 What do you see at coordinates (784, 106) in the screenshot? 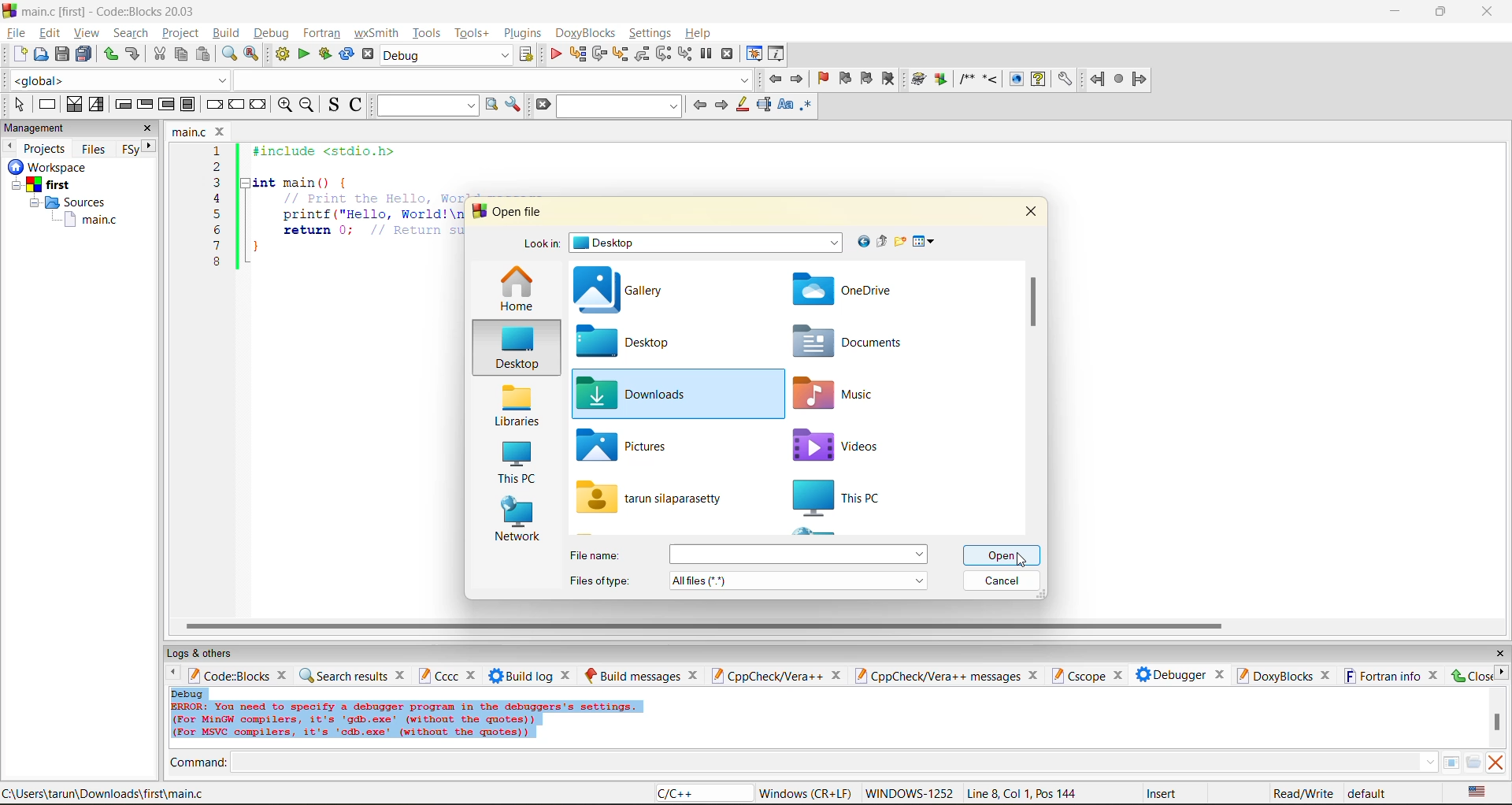
I see `match case` at bounding box center [784, 106].